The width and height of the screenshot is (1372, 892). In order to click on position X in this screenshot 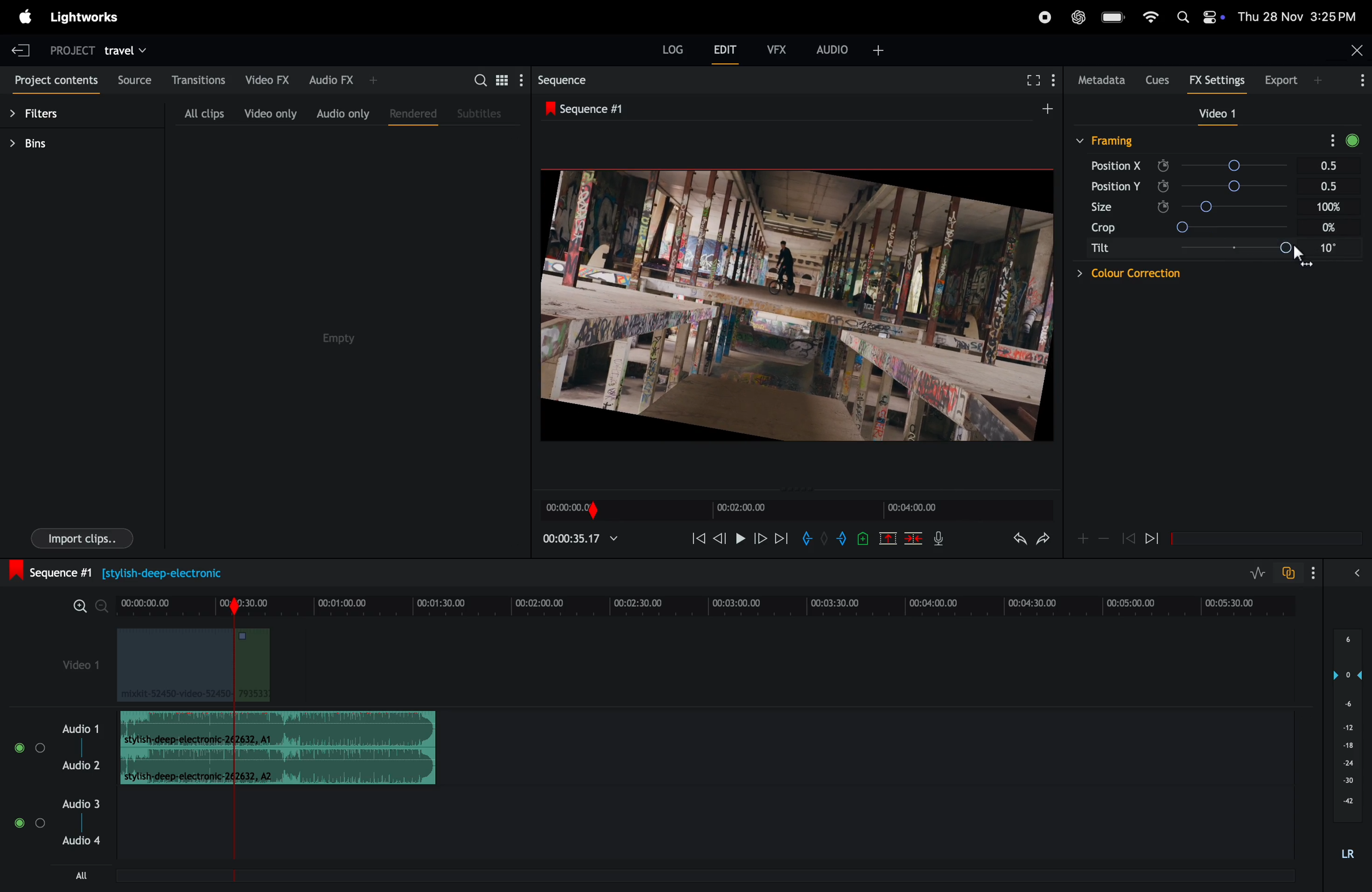, I will do `click(1121, 168)`.